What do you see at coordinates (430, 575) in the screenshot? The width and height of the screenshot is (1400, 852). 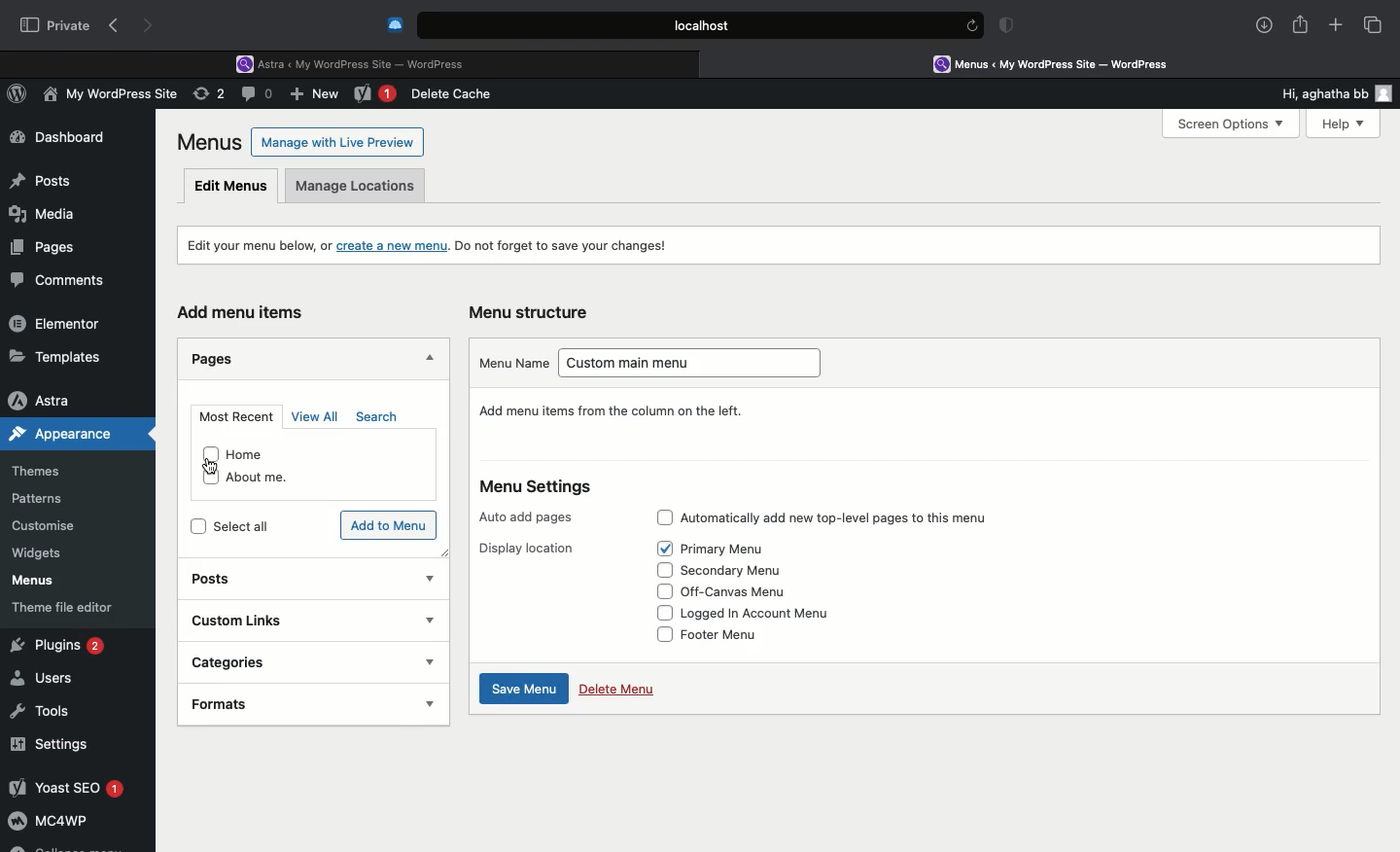 I see `Show` at bounding box center [430, 575].